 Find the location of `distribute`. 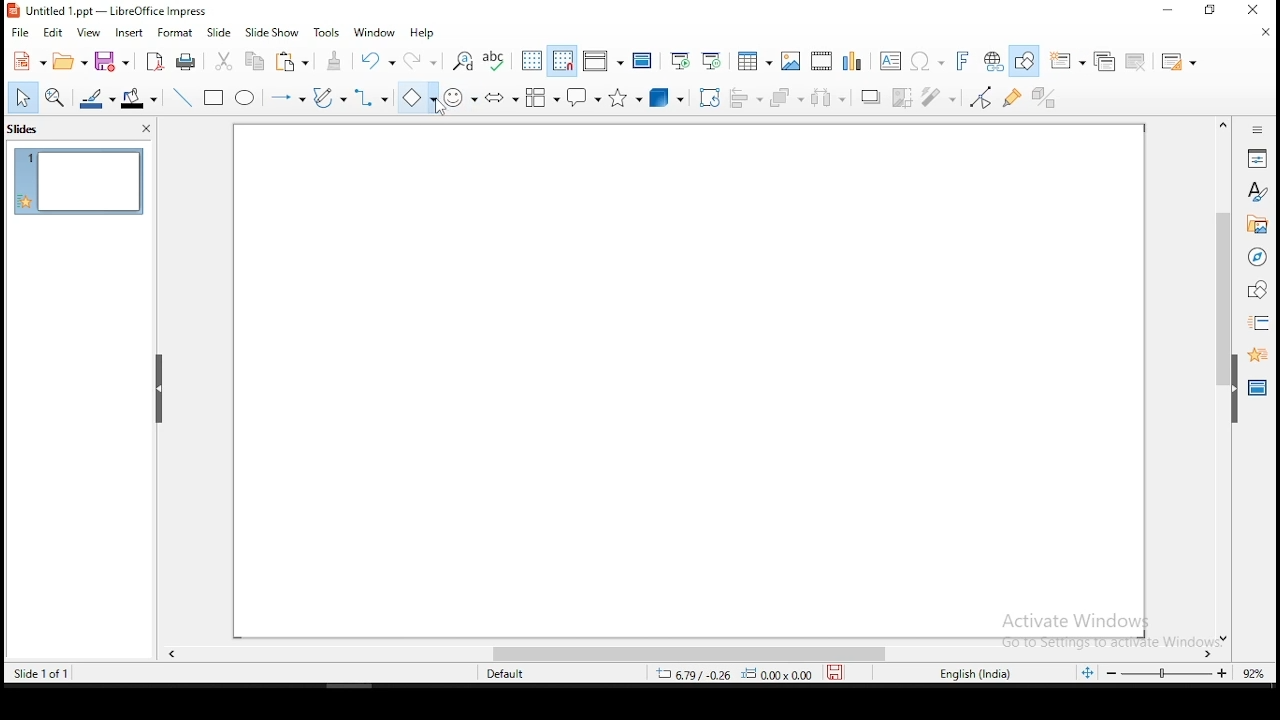

distribute is located at coordinates (834, 97).